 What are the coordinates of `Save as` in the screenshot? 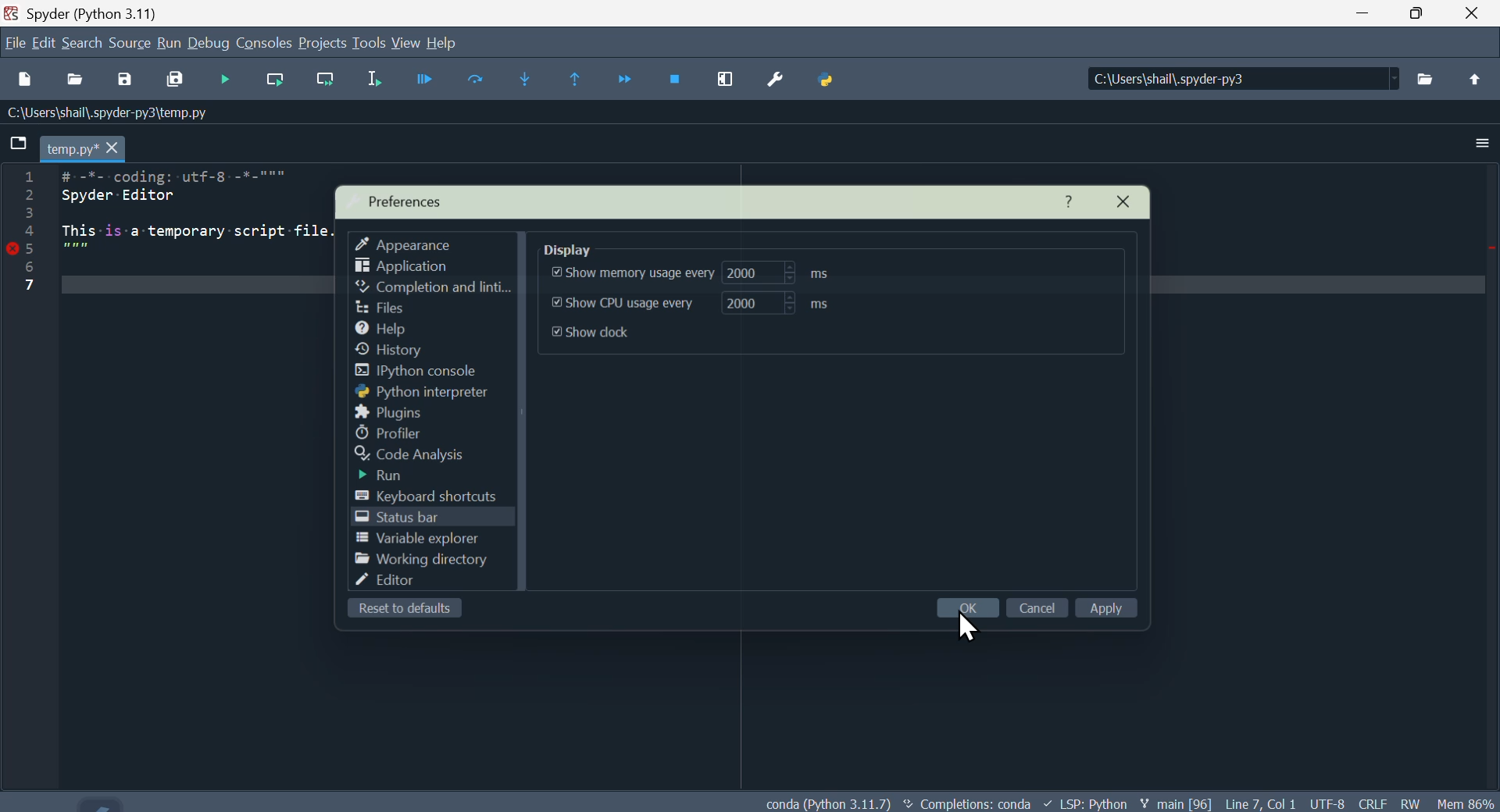 It's located at (130, 80).